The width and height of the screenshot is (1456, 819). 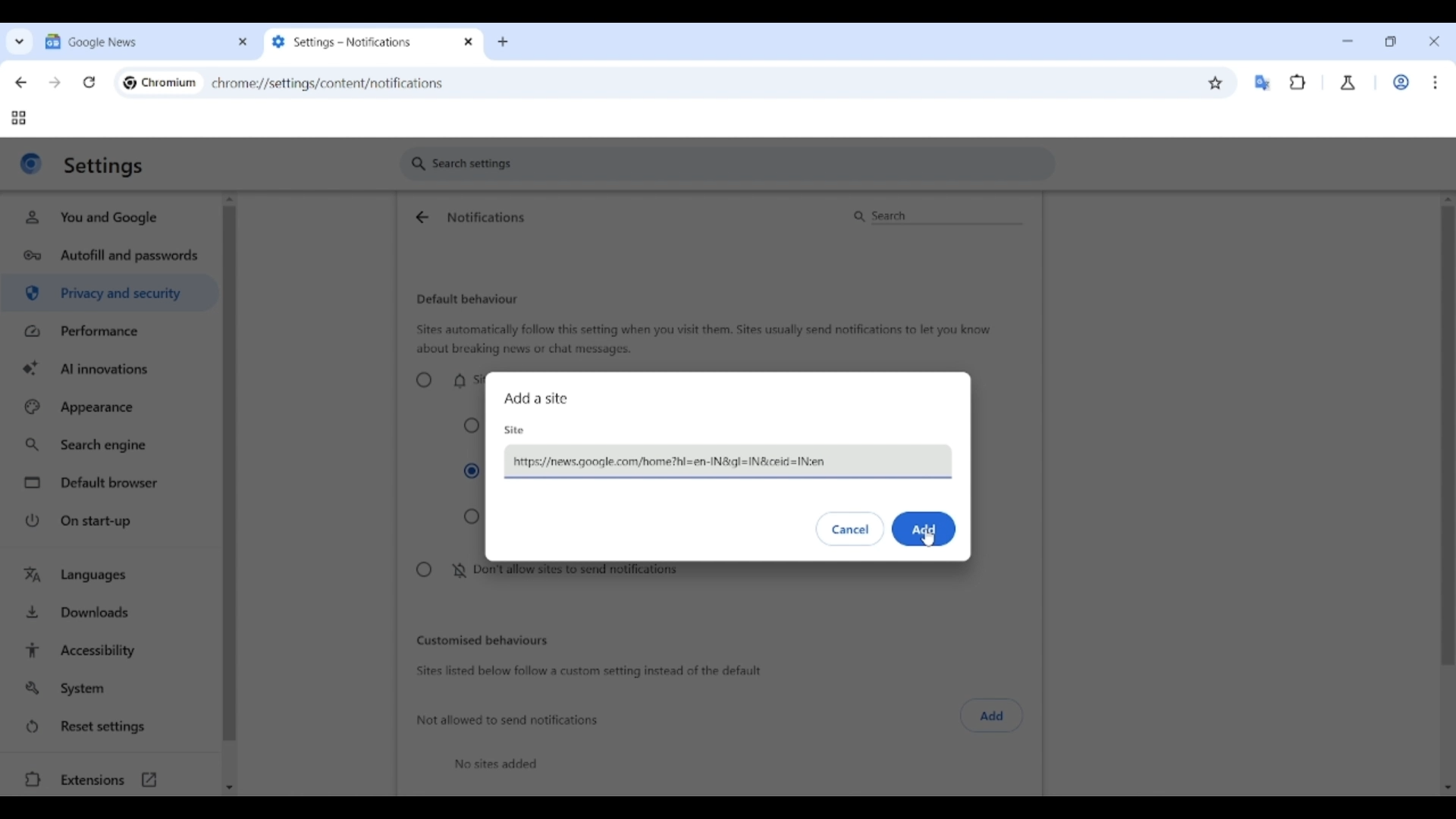 I want to click on Show interface in a smaller tab, so click(x=1390, y=42).